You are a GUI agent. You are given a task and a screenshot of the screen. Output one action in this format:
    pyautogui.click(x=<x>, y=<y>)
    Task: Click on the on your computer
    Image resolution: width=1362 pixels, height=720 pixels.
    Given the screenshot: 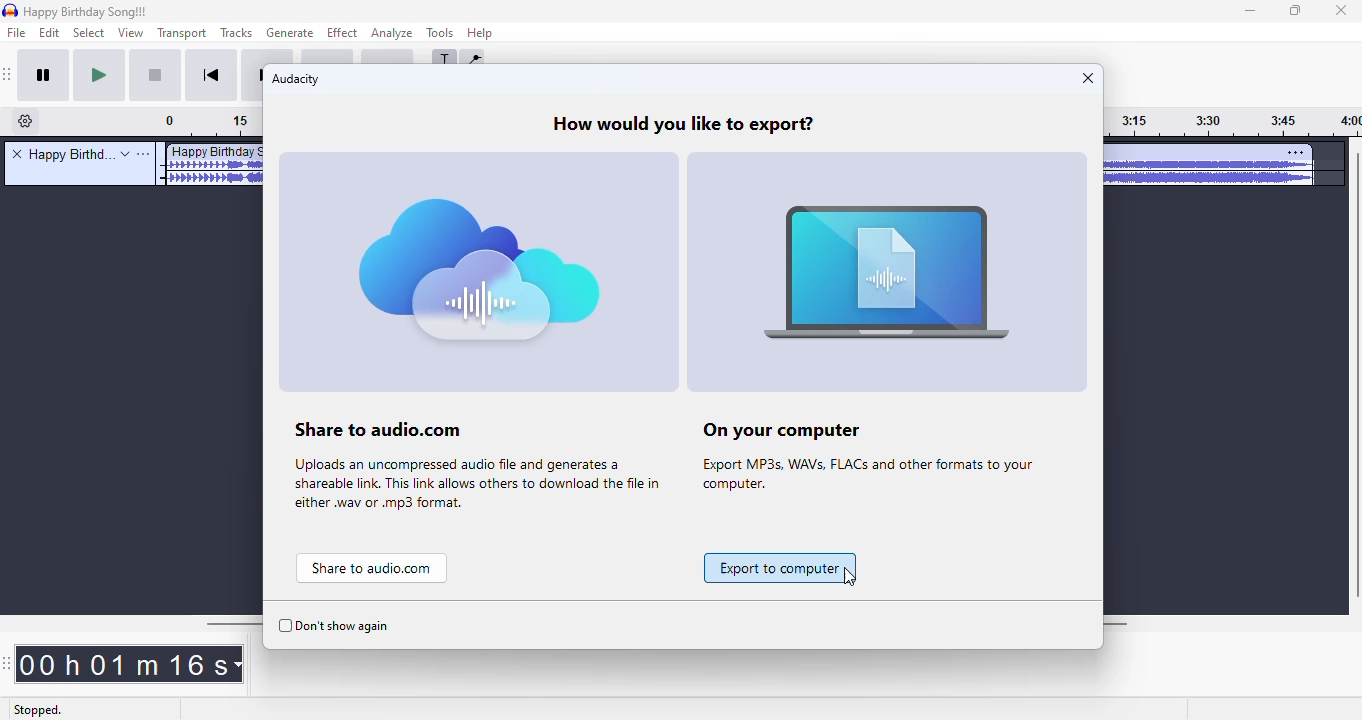 What is the action you would take?
    pyautogui.click(x=890, y=336)
    